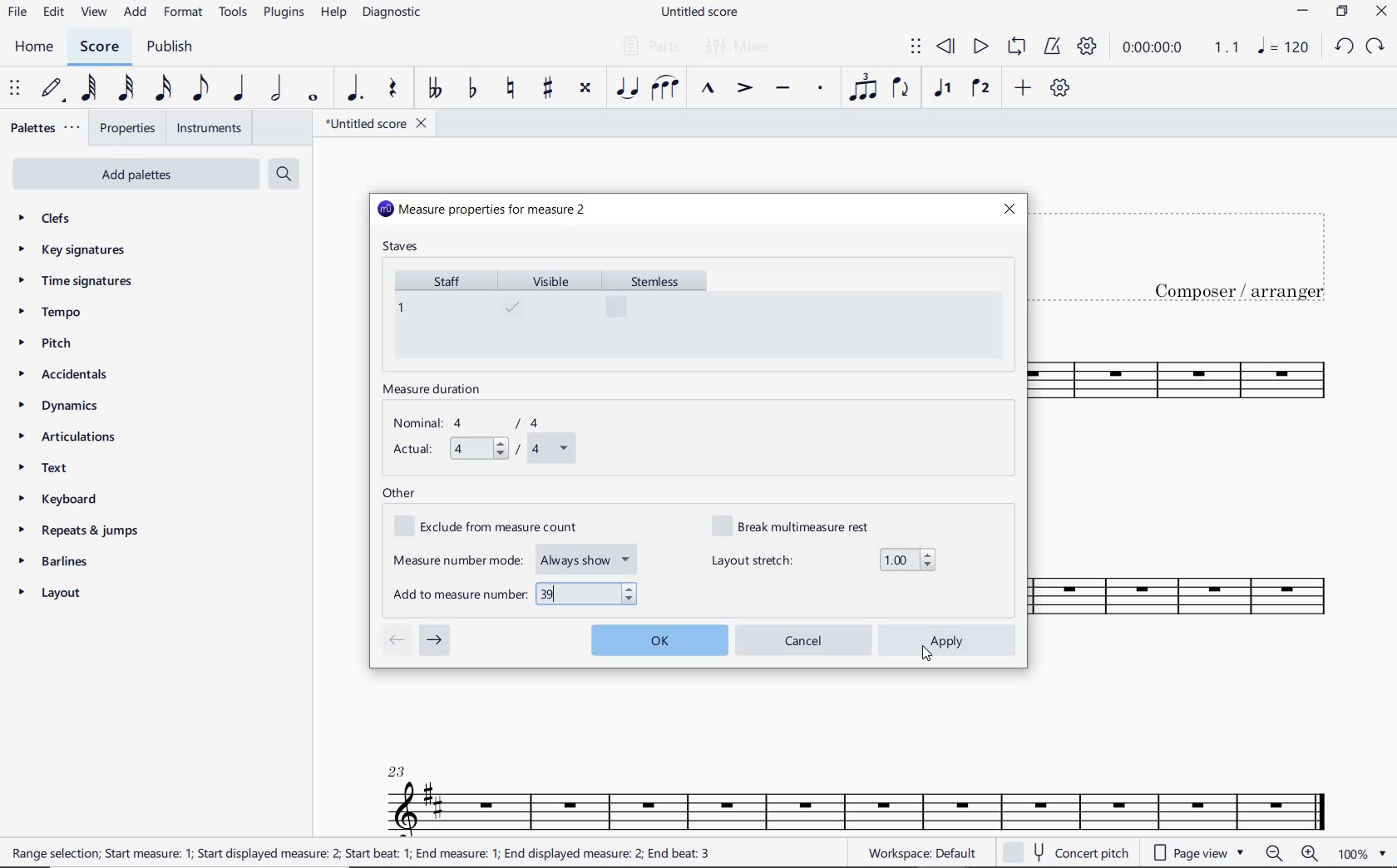  I want to click on apply, so click(949, 640).